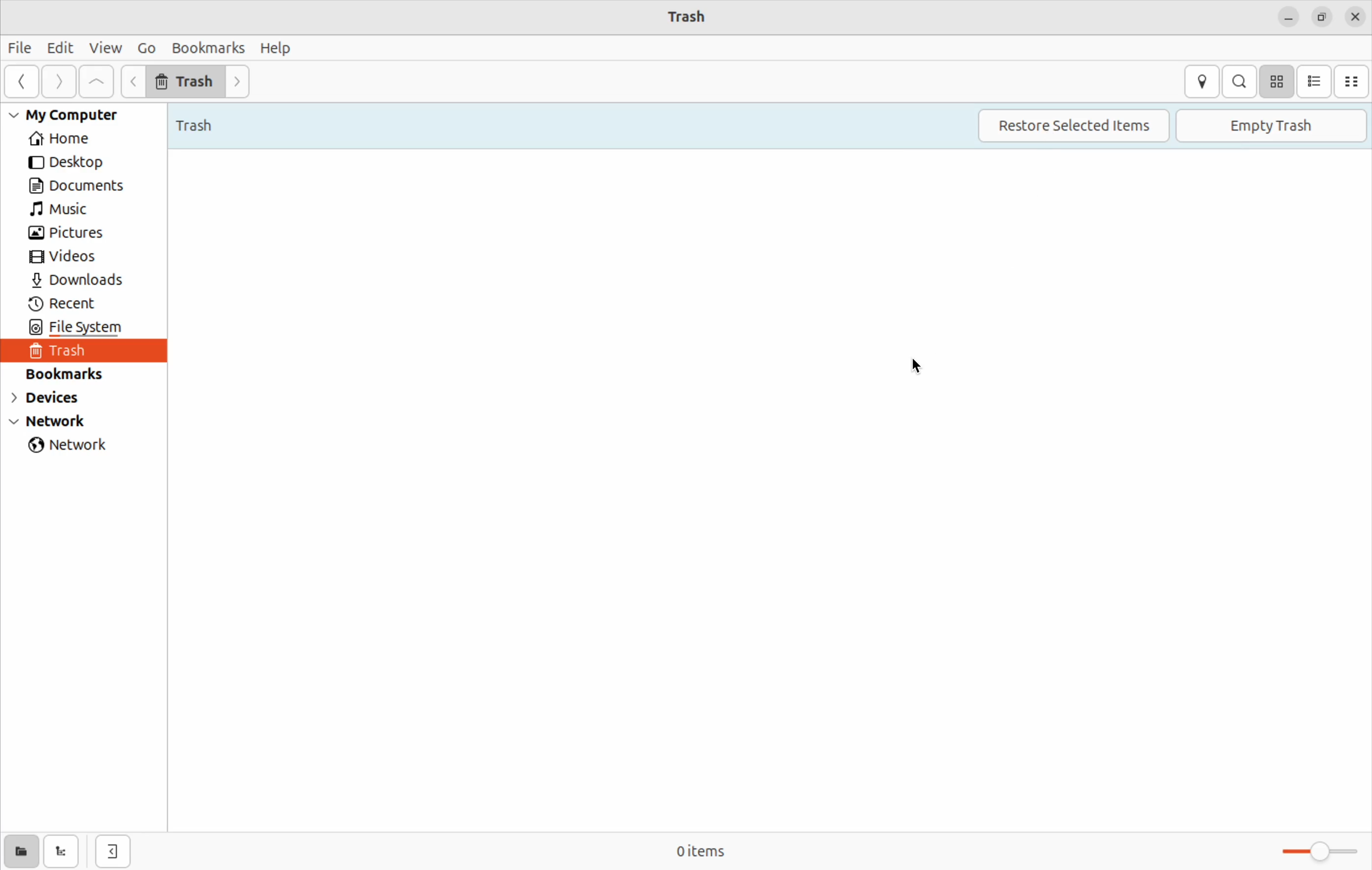 The height and width of the screenshot is (870, 1372). Describe the element at coordinates (242, 83) in the screenshot. I see `go next` at that location.